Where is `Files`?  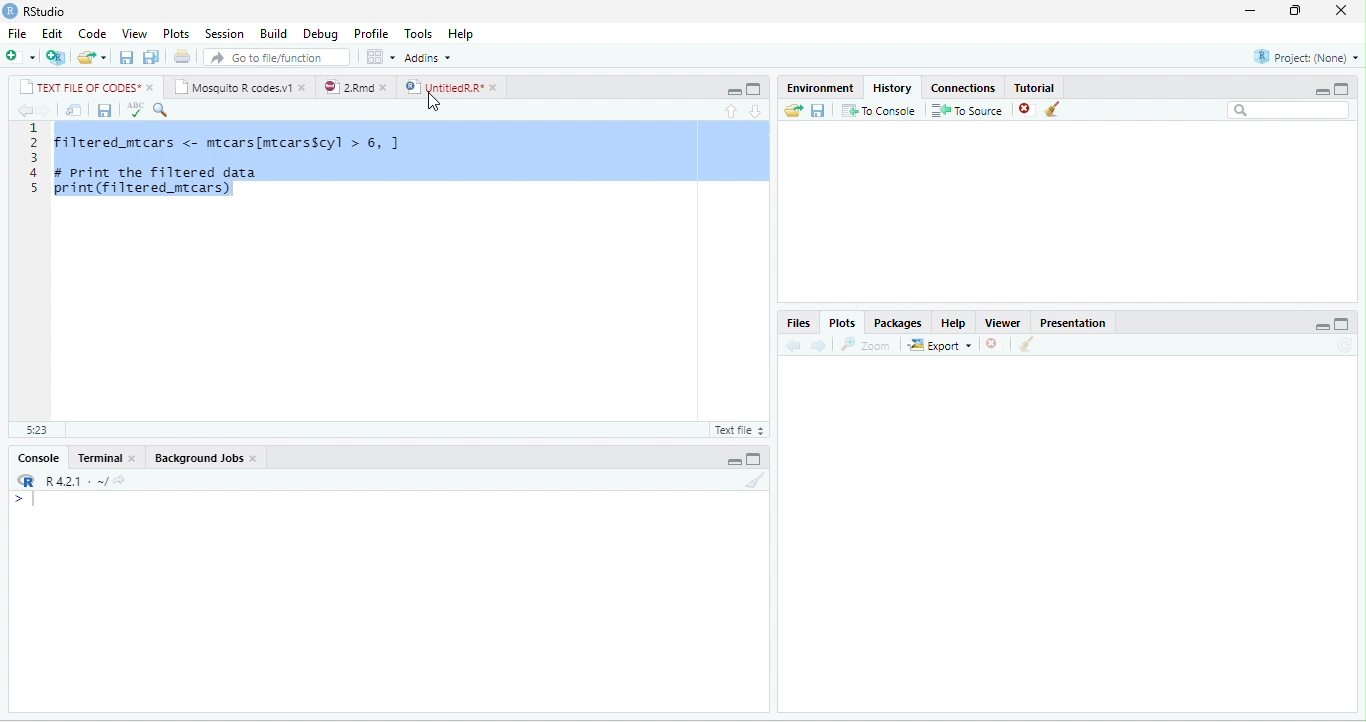 Files is located at coordinates (798, 323).